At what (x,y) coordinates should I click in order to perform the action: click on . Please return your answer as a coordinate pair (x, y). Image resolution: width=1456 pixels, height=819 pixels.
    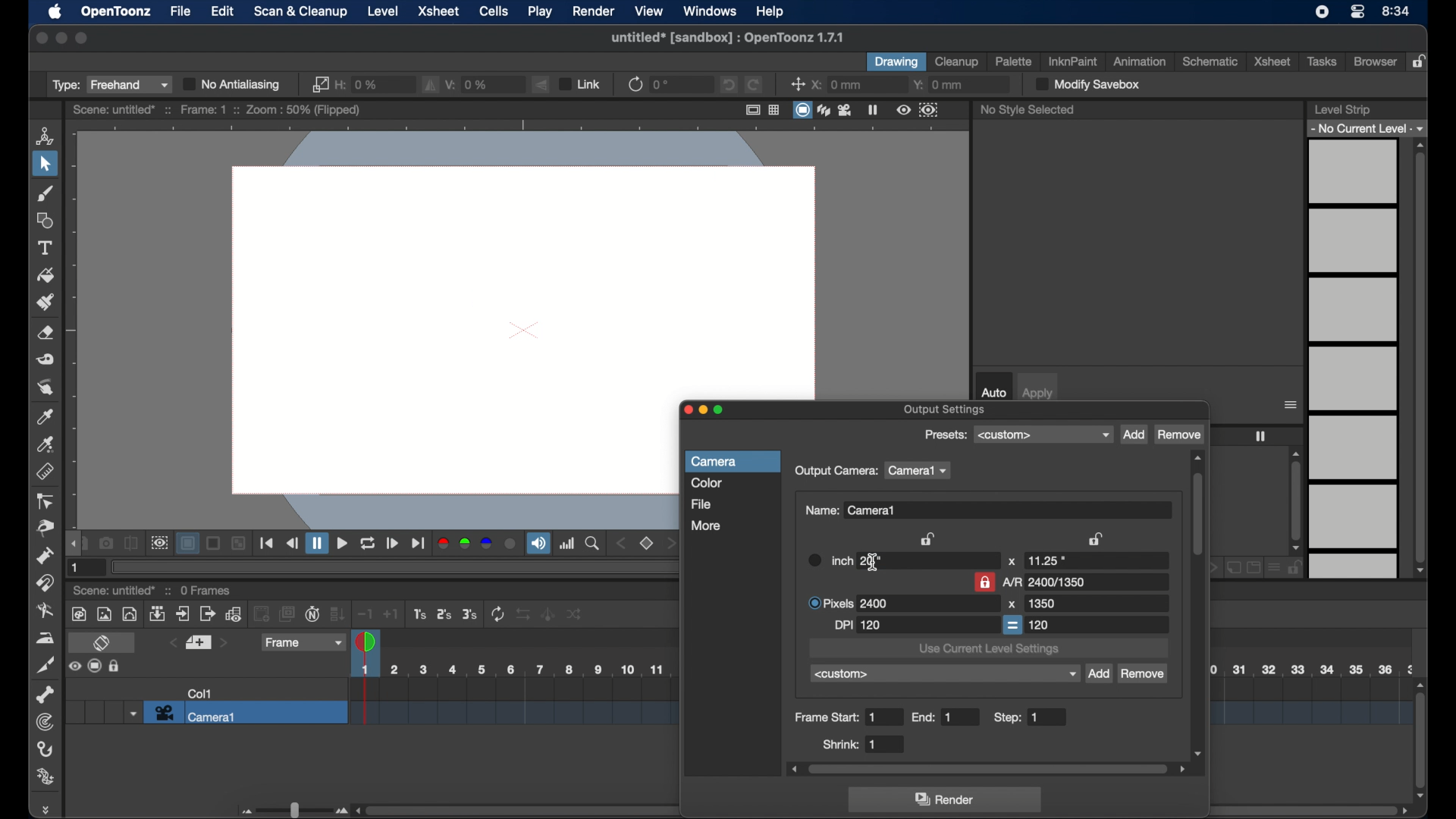
    Looking at the image, I should click on (548, 613).